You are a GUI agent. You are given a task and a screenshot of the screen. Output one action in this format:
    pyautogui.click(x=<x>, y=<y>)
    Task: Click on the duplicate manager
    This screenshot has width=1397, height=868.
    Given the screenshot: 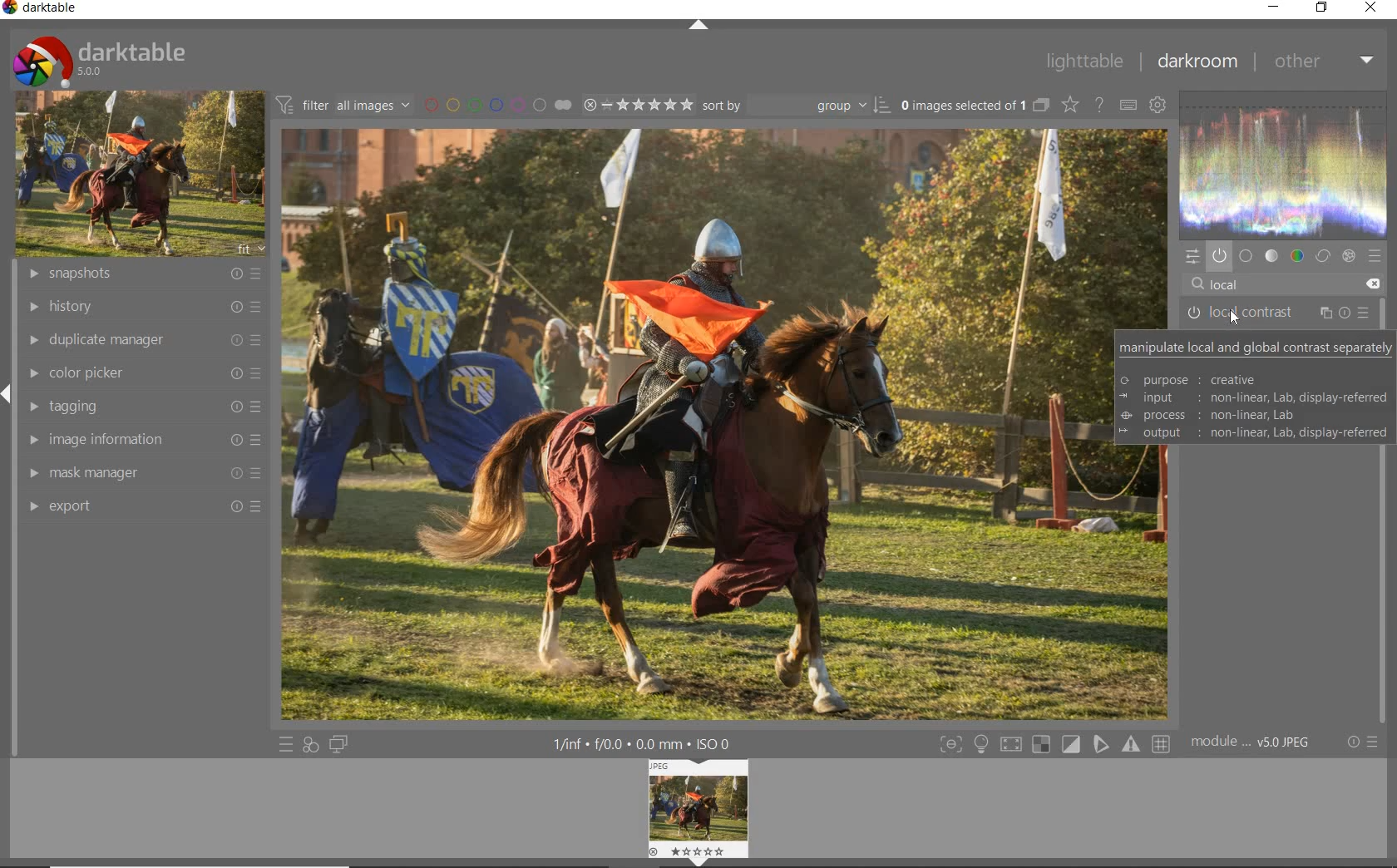 What is the action you would take?
    pyautogui.click(x=140, y=341)
    